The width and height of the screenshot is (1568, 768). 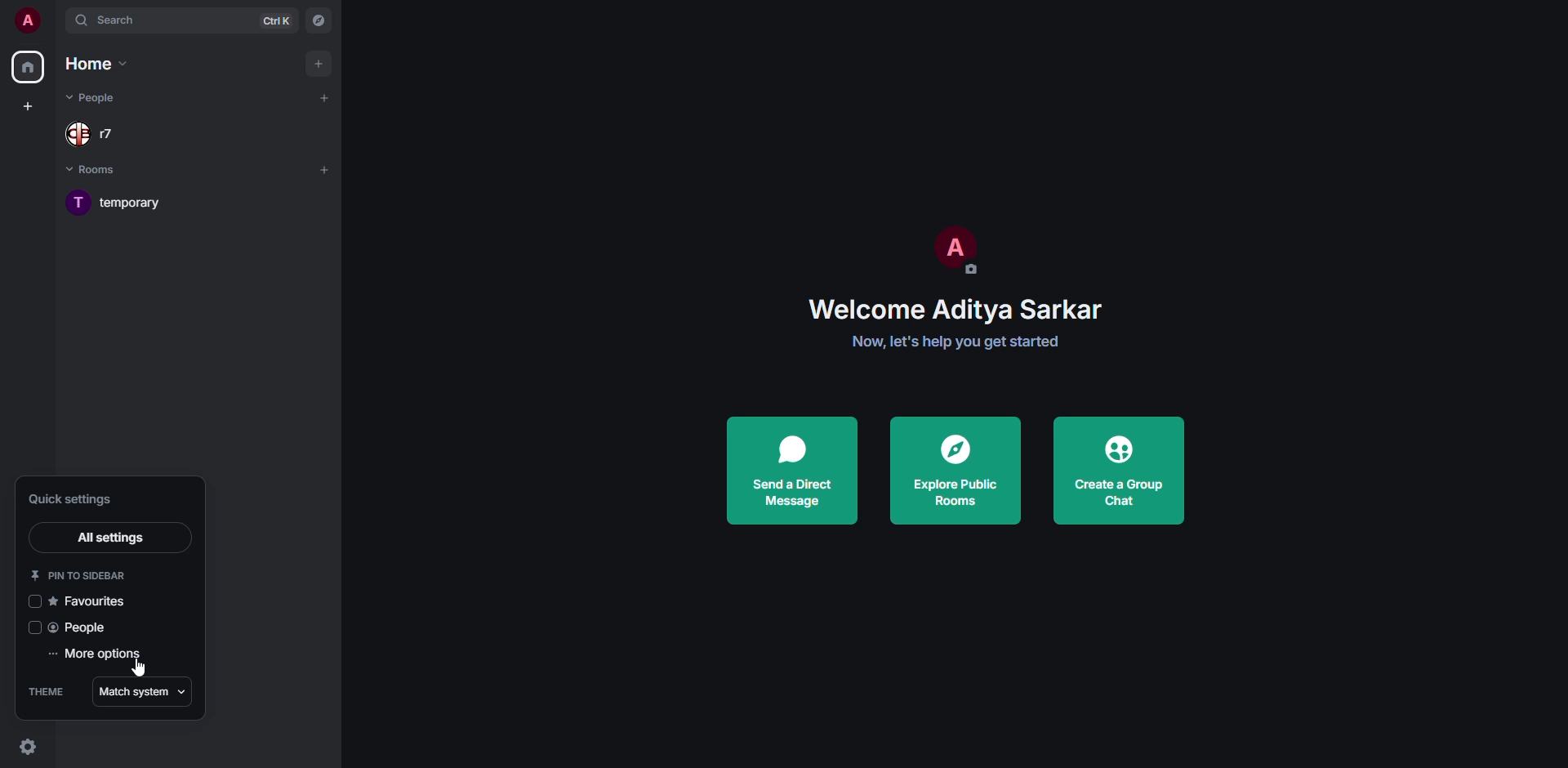 I want to click on profile pic, so click(x=957, y=248).